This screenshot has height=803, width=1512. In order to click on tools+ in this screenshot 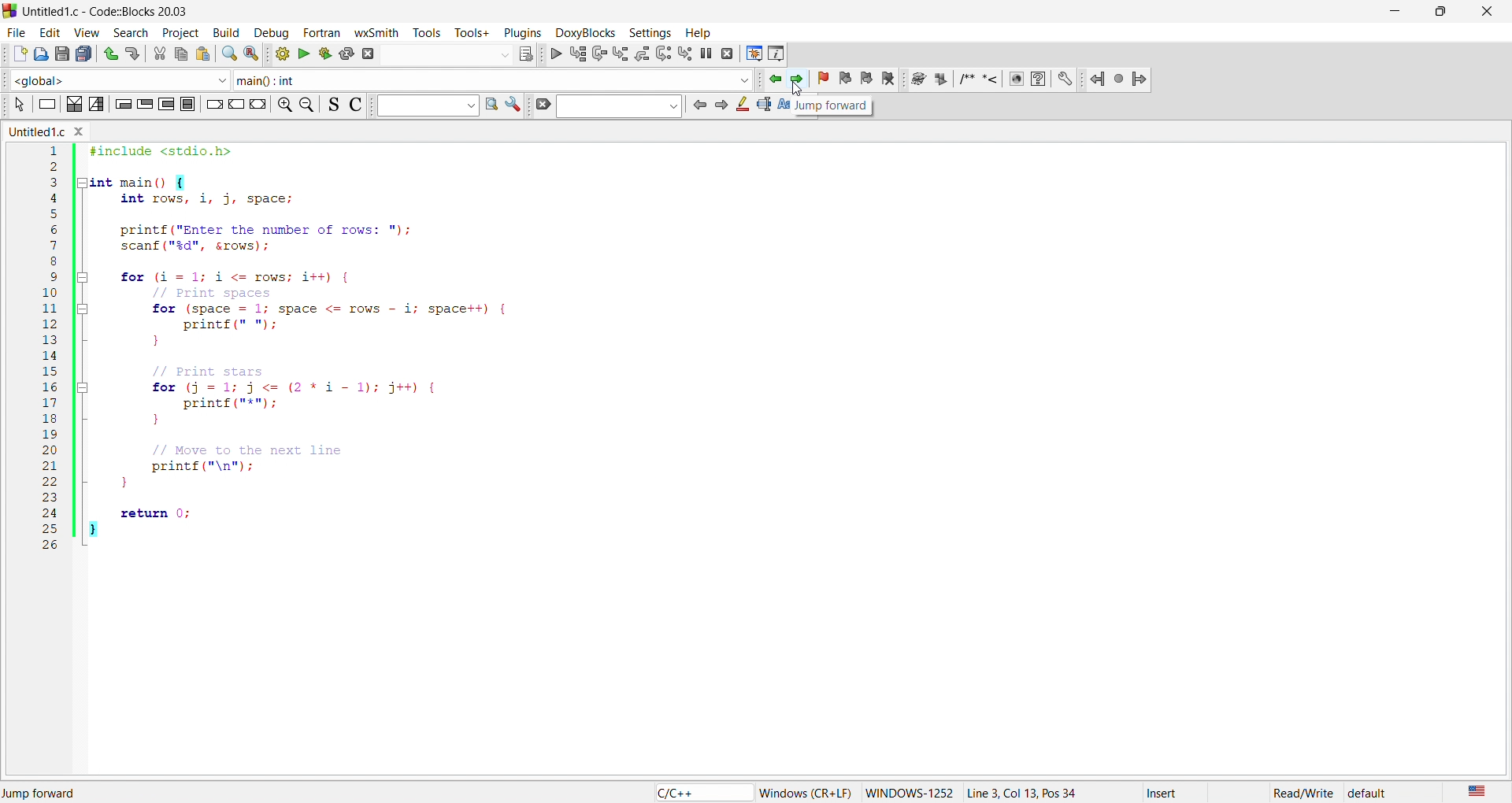, I will do `click(470, 30)`.